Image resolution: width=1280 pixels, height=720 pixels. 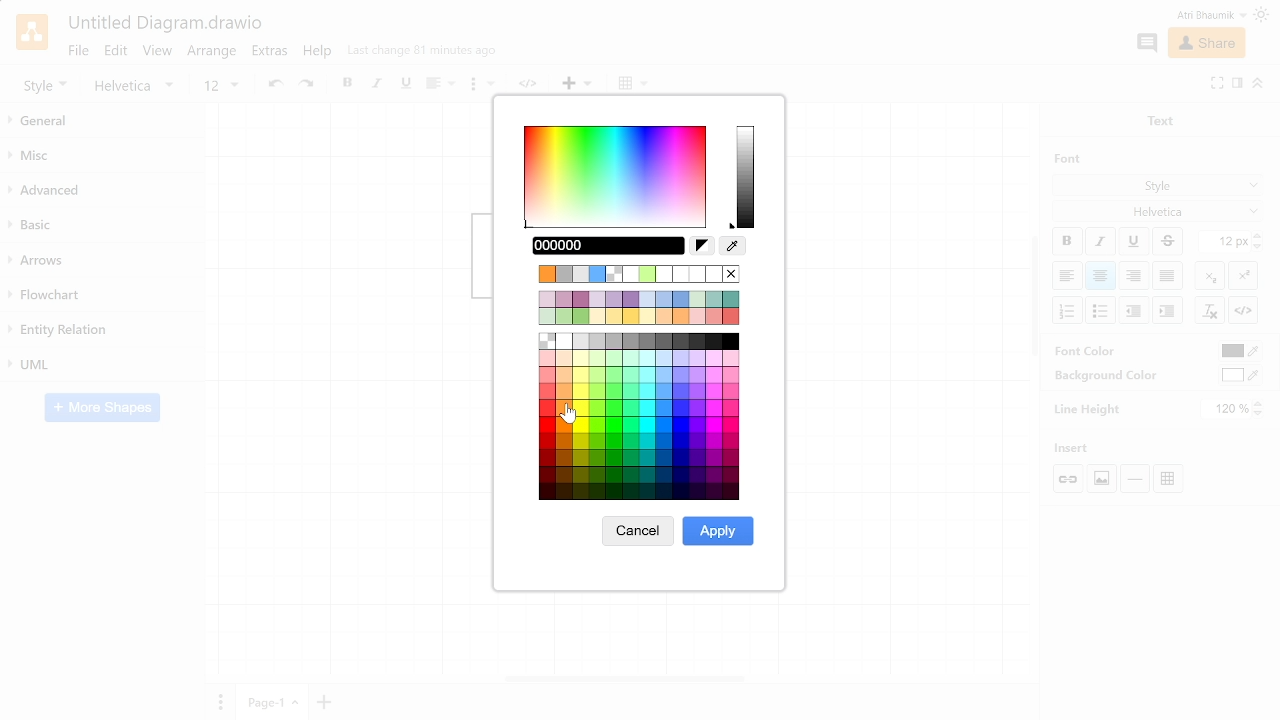 I want to click on background color, so click(x=1098, y=375).